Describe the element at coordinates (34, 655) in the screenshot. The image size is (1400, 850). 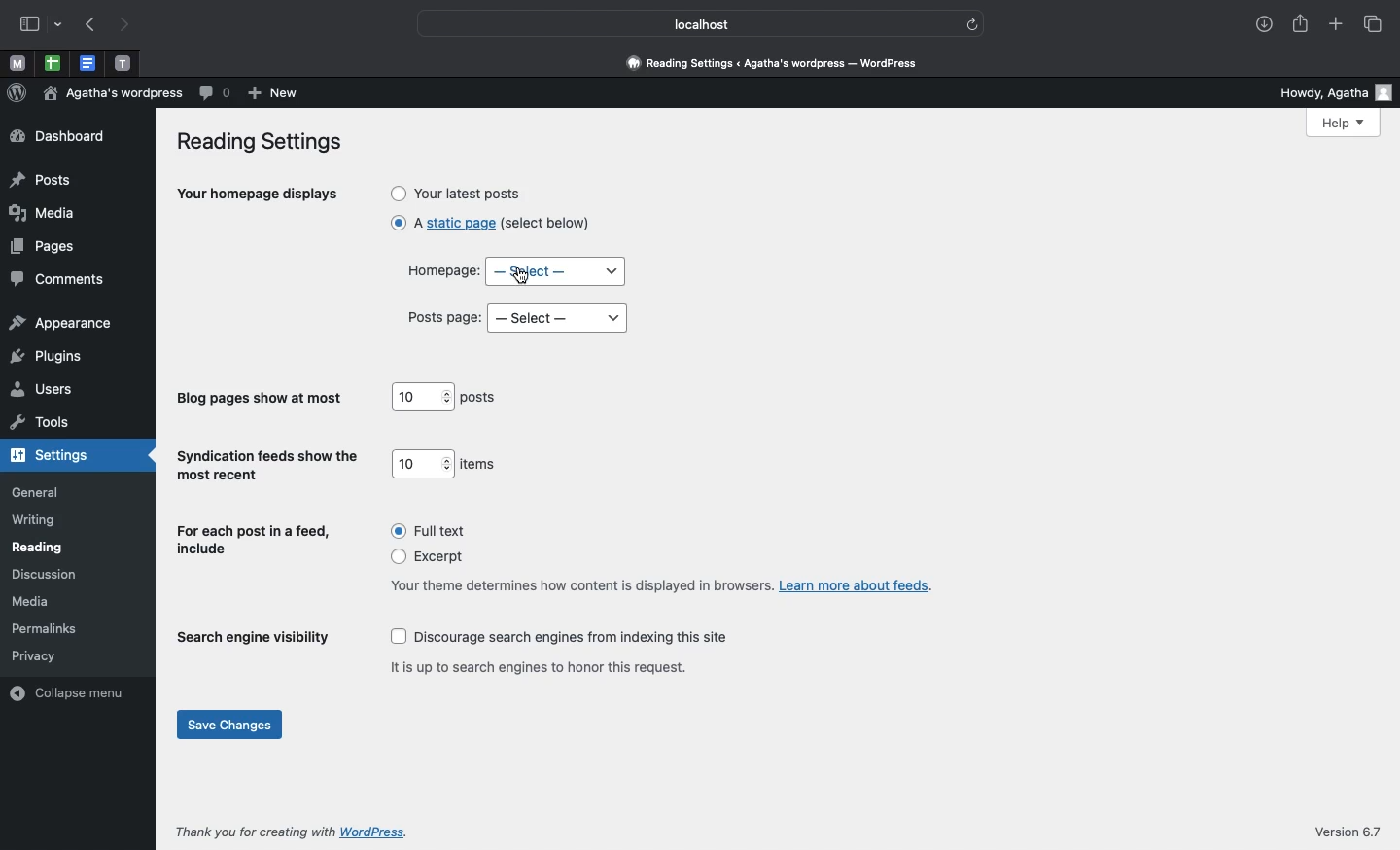
I see `privacy` at that location.